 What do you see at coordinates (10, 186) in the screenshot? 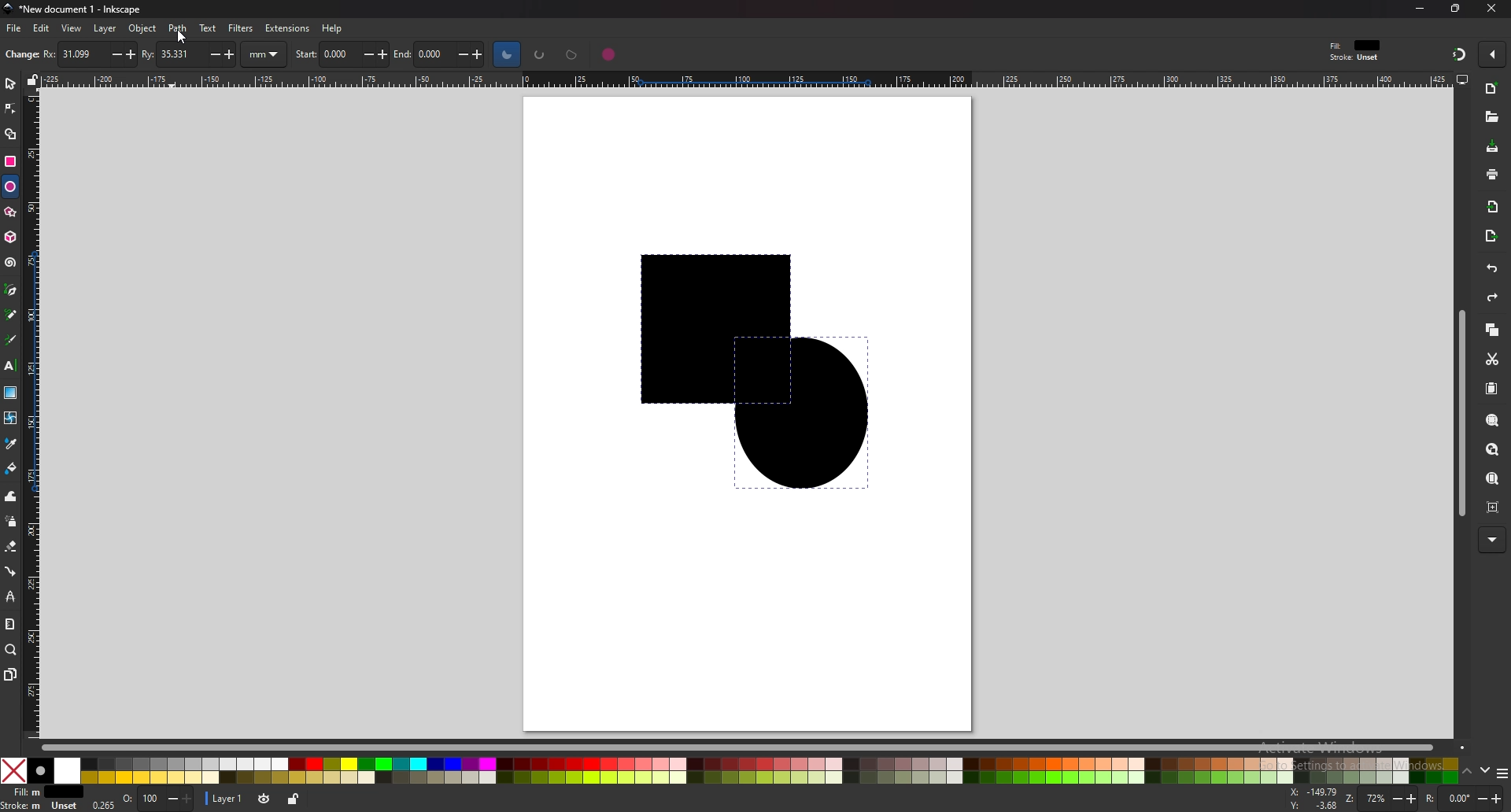
I see `ellipse` at bounding box center [10, 186].